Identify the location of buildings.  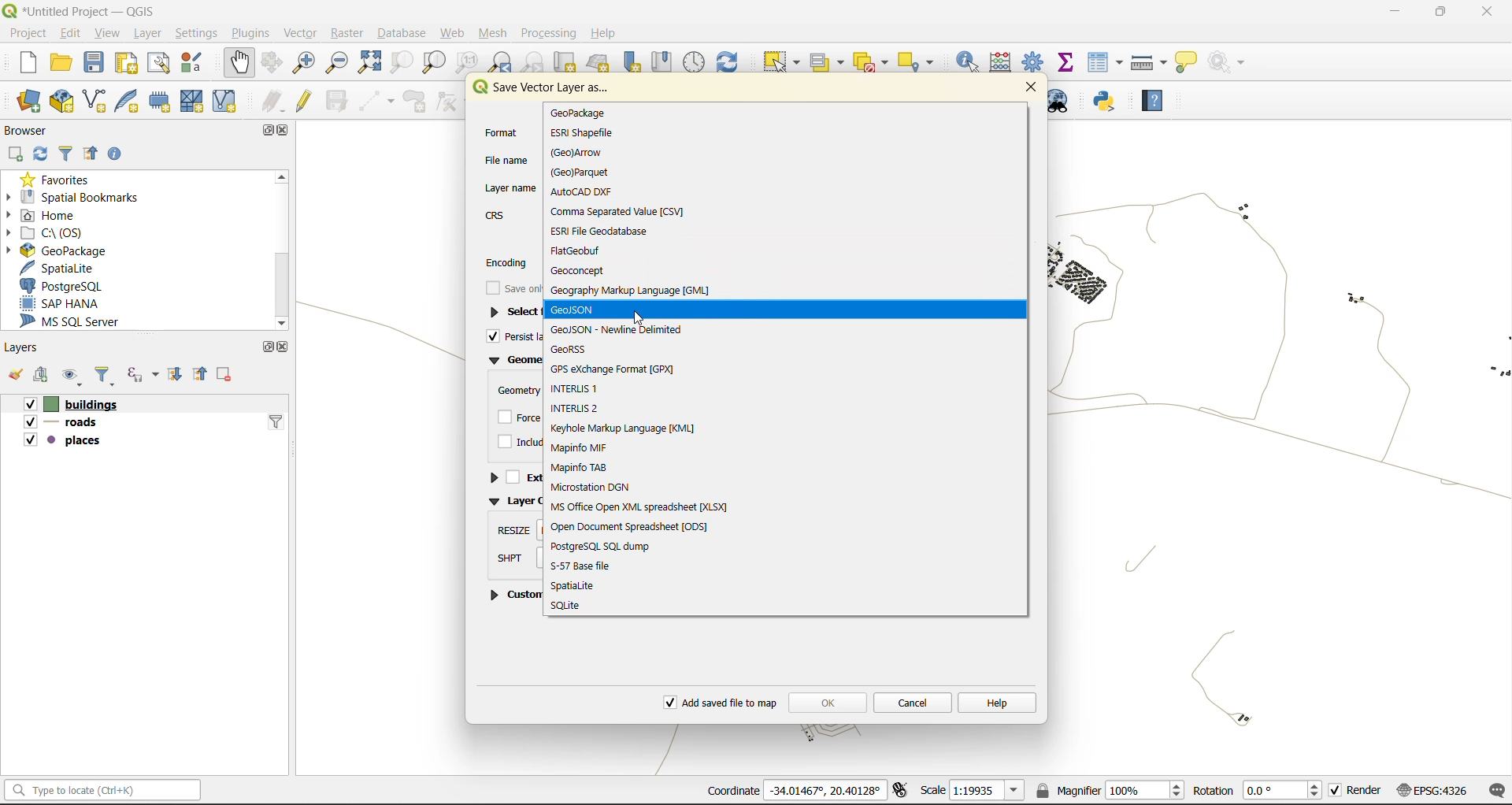
(66, 403).